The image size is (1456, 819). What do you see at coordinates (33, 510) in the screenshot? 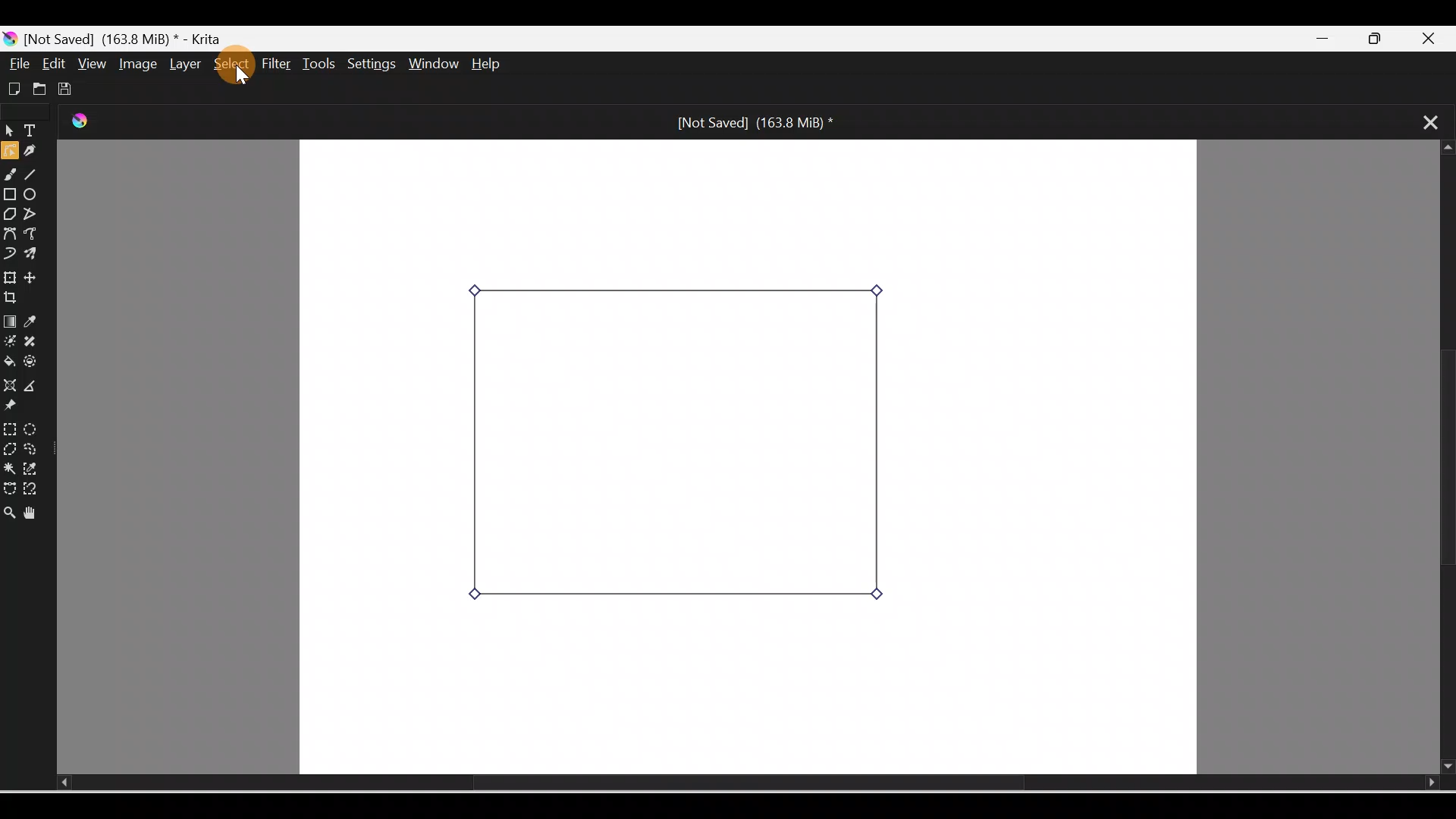
I see `Pan tool` at bounding box center [33, 510].